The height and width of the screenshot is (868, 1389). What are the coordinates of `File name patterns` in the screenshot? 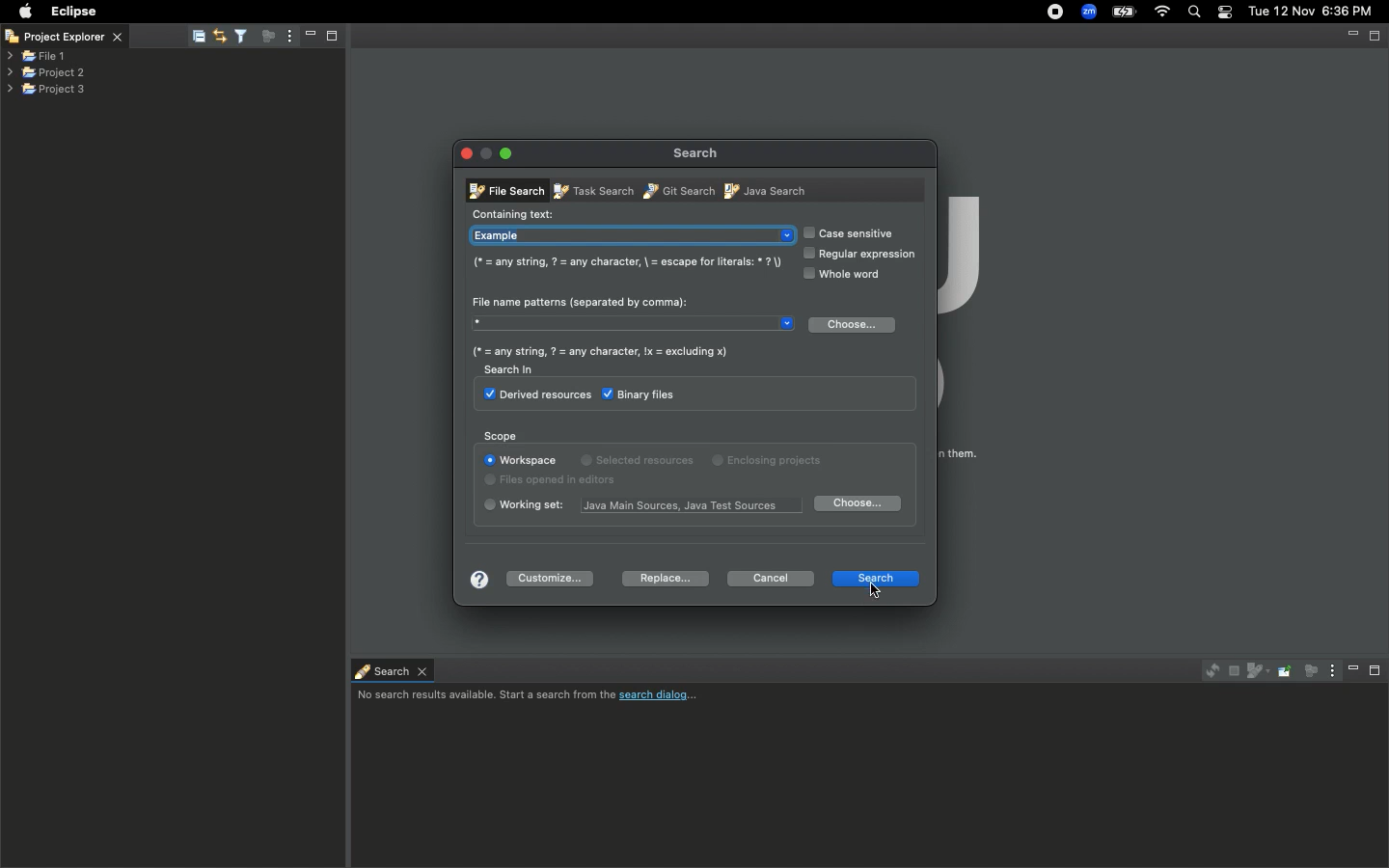 It's located at (580, 301).